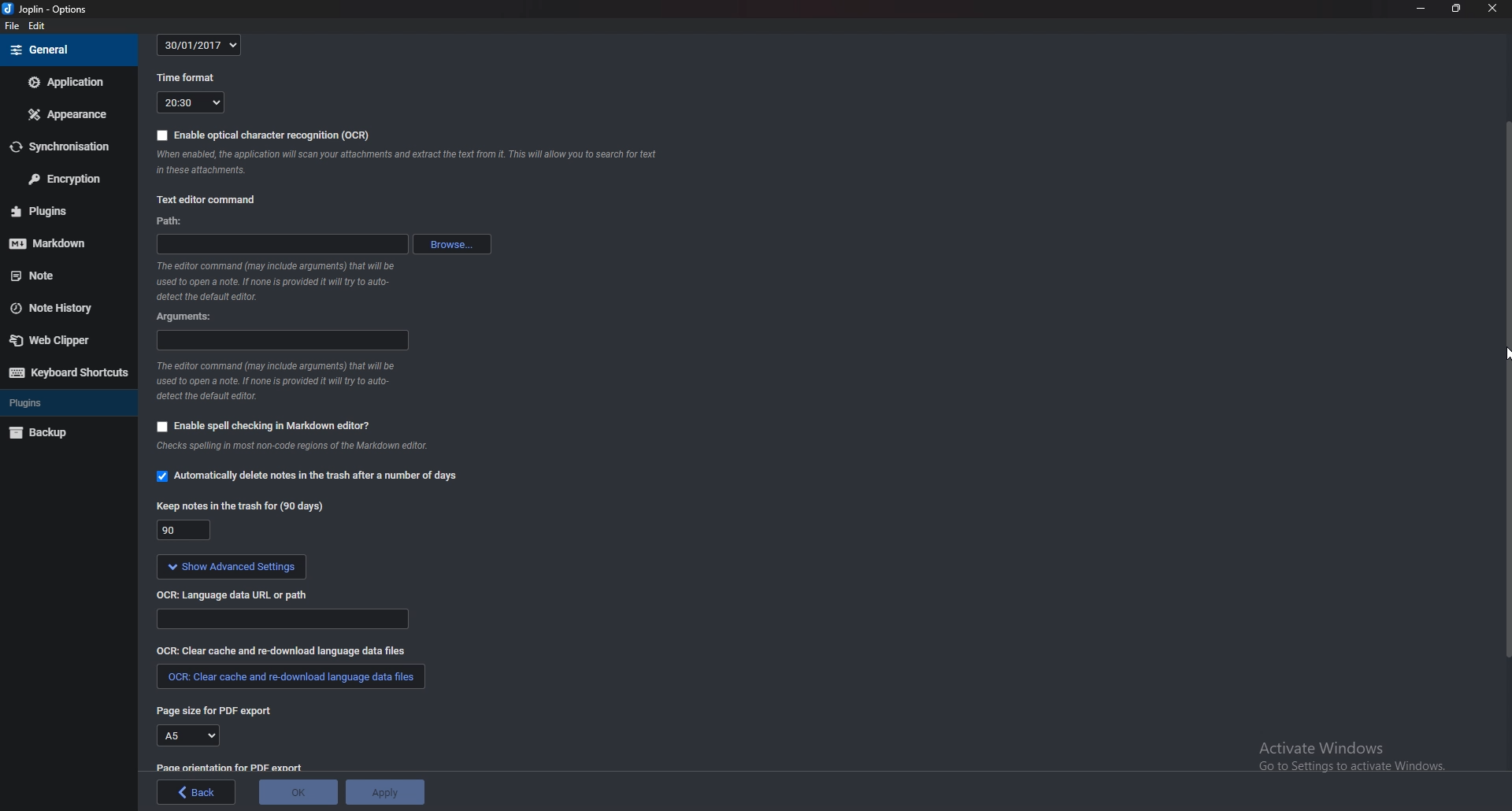 The image size is (1512, 811). Describe the element at coordinates (1506, 388) in the screenshot. I see `Scroll bar` at that location.